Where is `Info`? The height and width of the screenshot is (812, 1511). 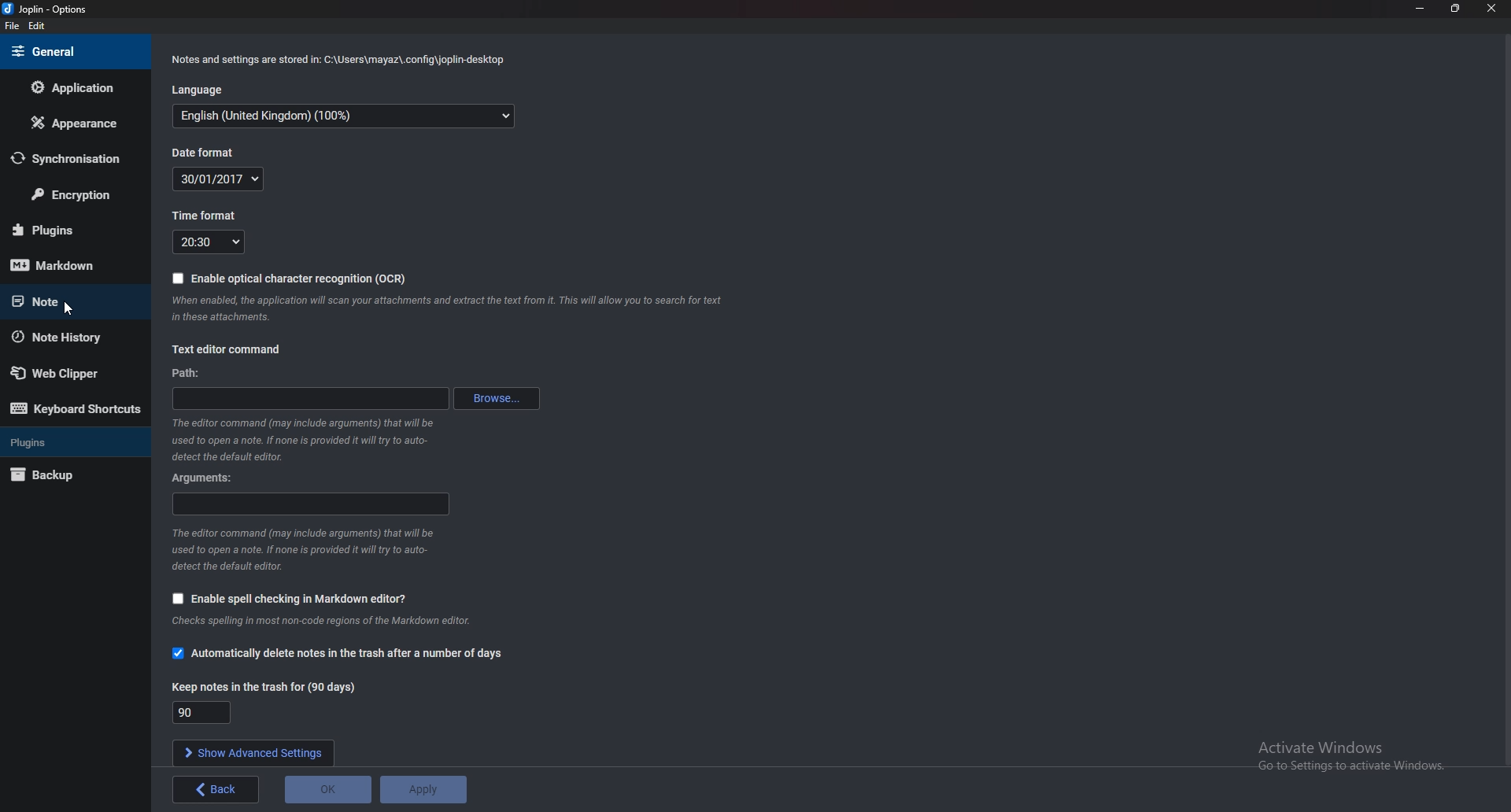
Info is located at coordinates (327, 622).